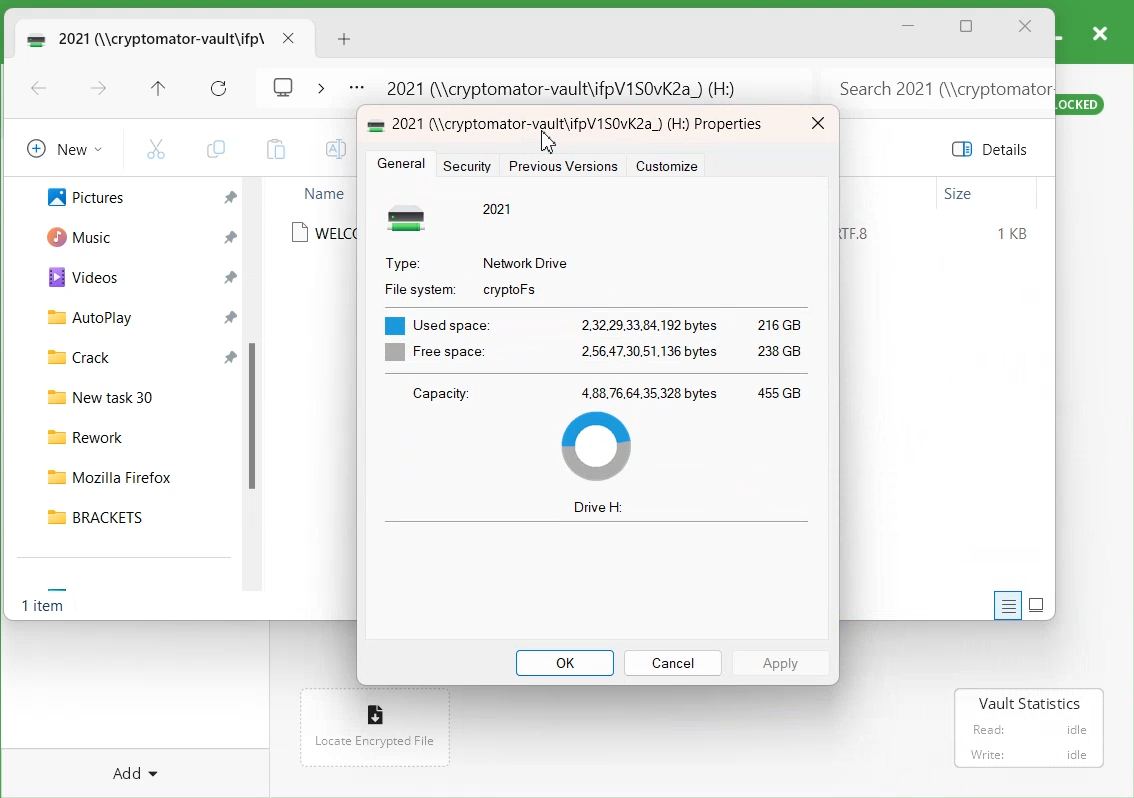  What do you see at coordinates (137, 770) in the screenshot?
I see `Add ` at bounding box center [137, 770].